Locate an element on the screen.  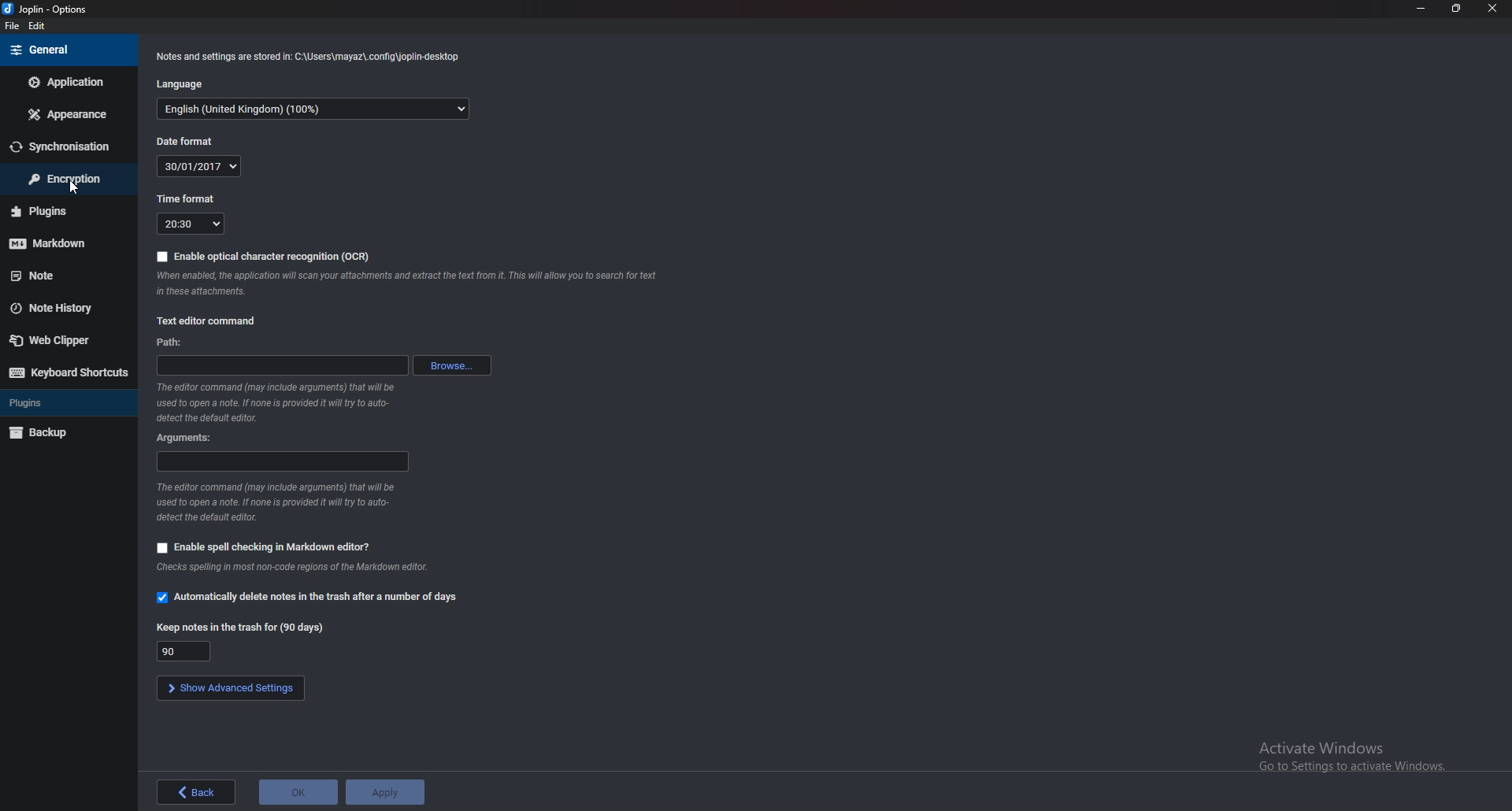
time format is located at coordinates (187, 198).